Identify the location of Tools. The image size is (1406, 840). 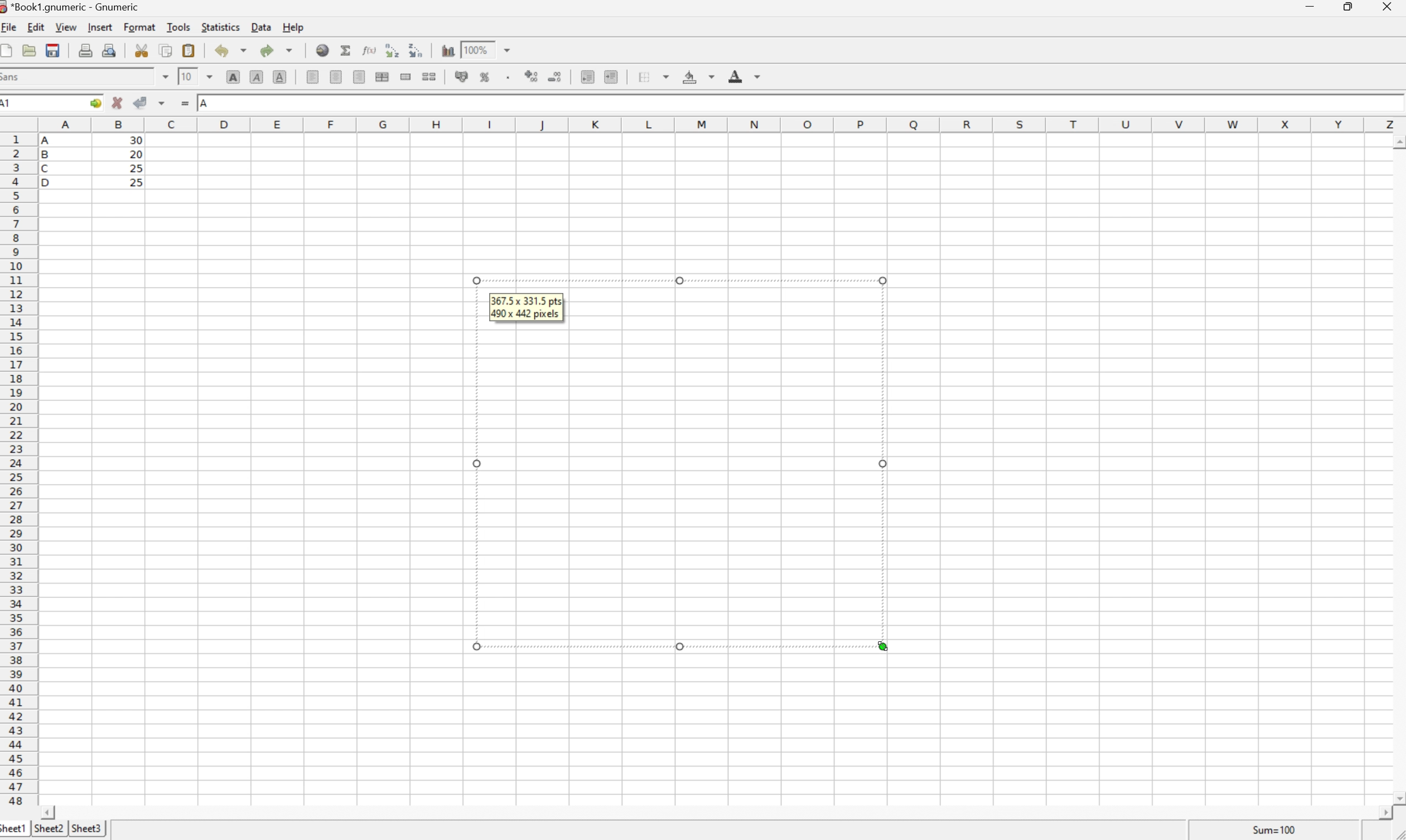
(178, 27).